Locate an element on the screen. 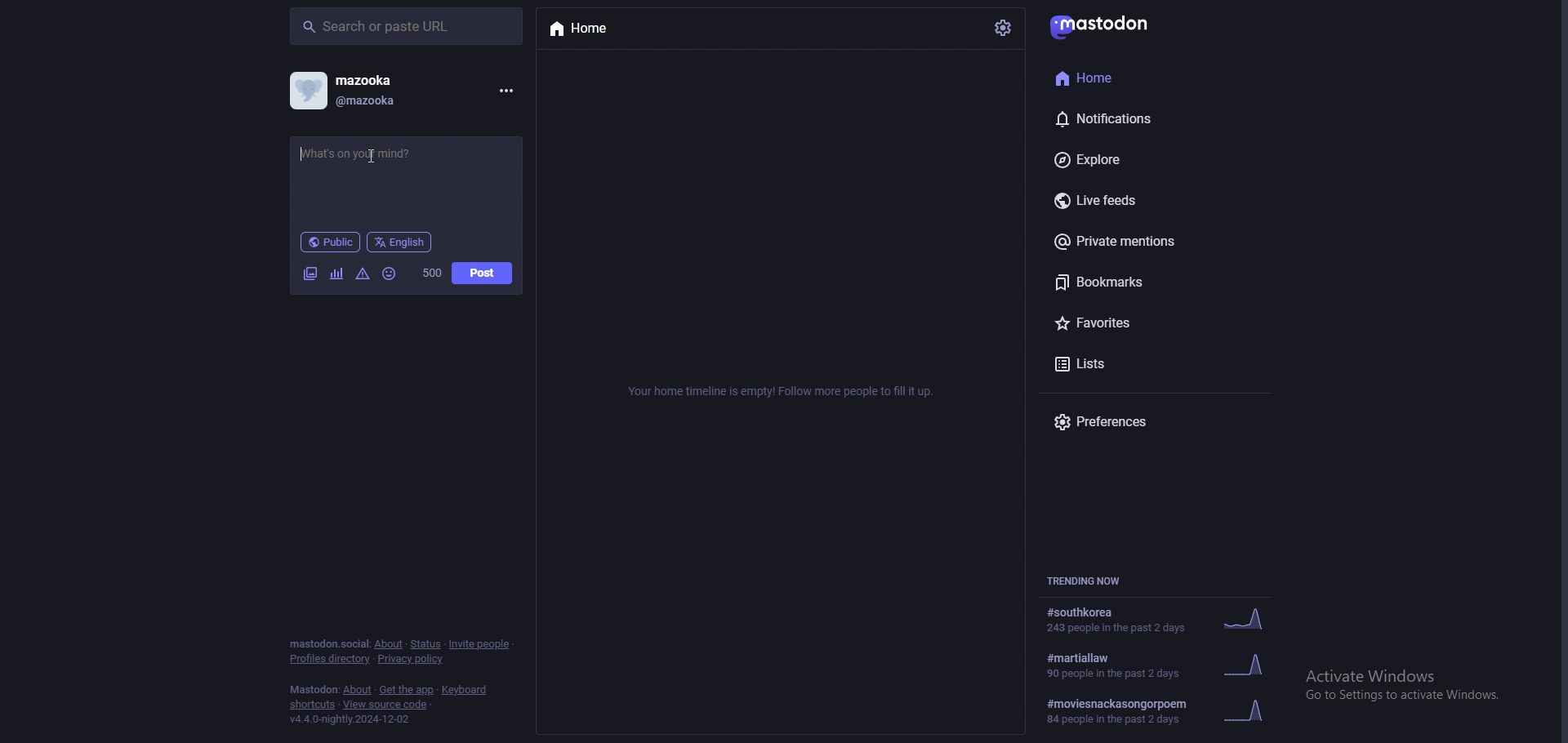 The width and height of the screenshot is (1568, 743). home is located at coordinates (586, 30).